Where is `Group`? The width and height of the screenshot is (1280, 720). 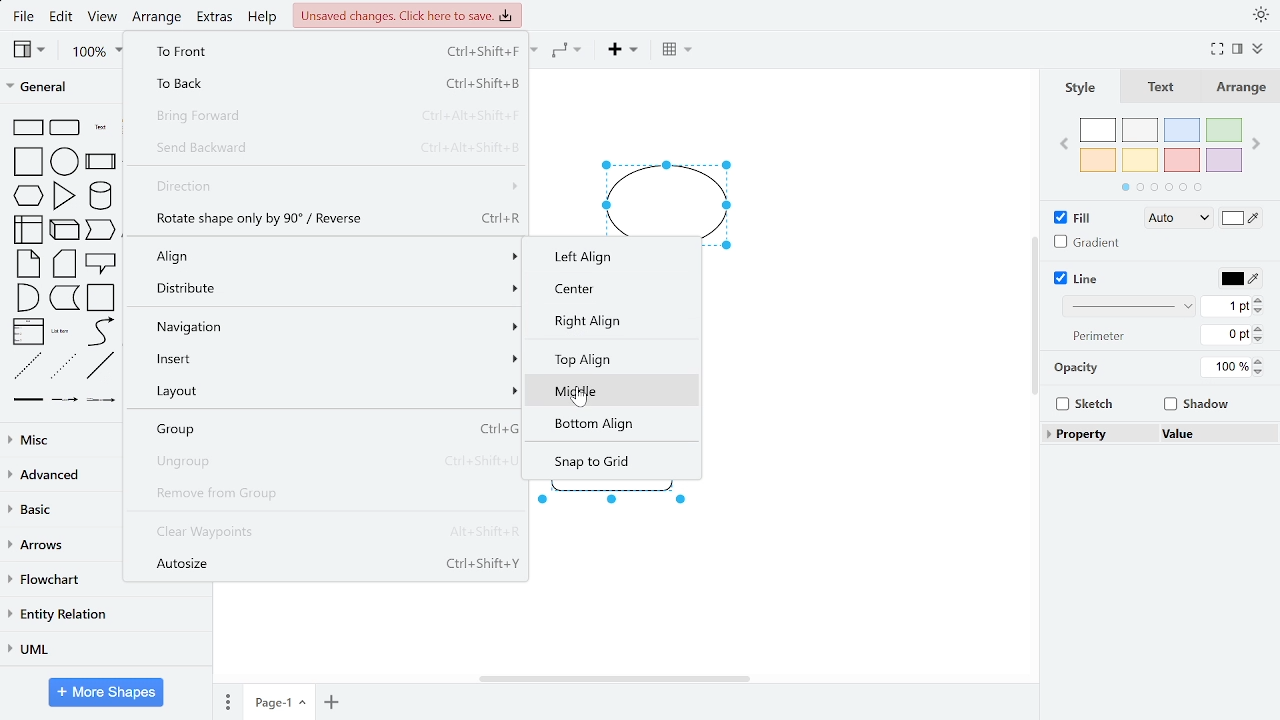 Group is located at coordinates (326, 430).